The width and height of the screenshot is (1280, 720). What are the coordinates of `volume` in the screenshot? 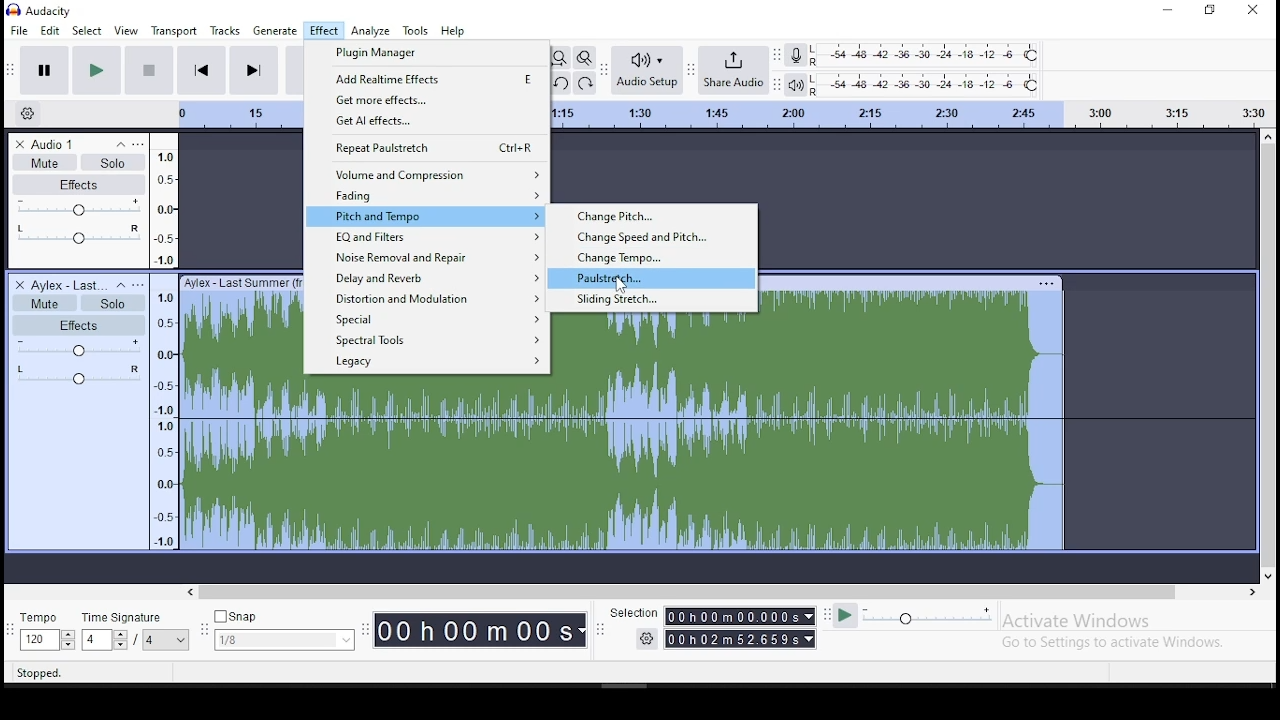 It's located at (83, 350).